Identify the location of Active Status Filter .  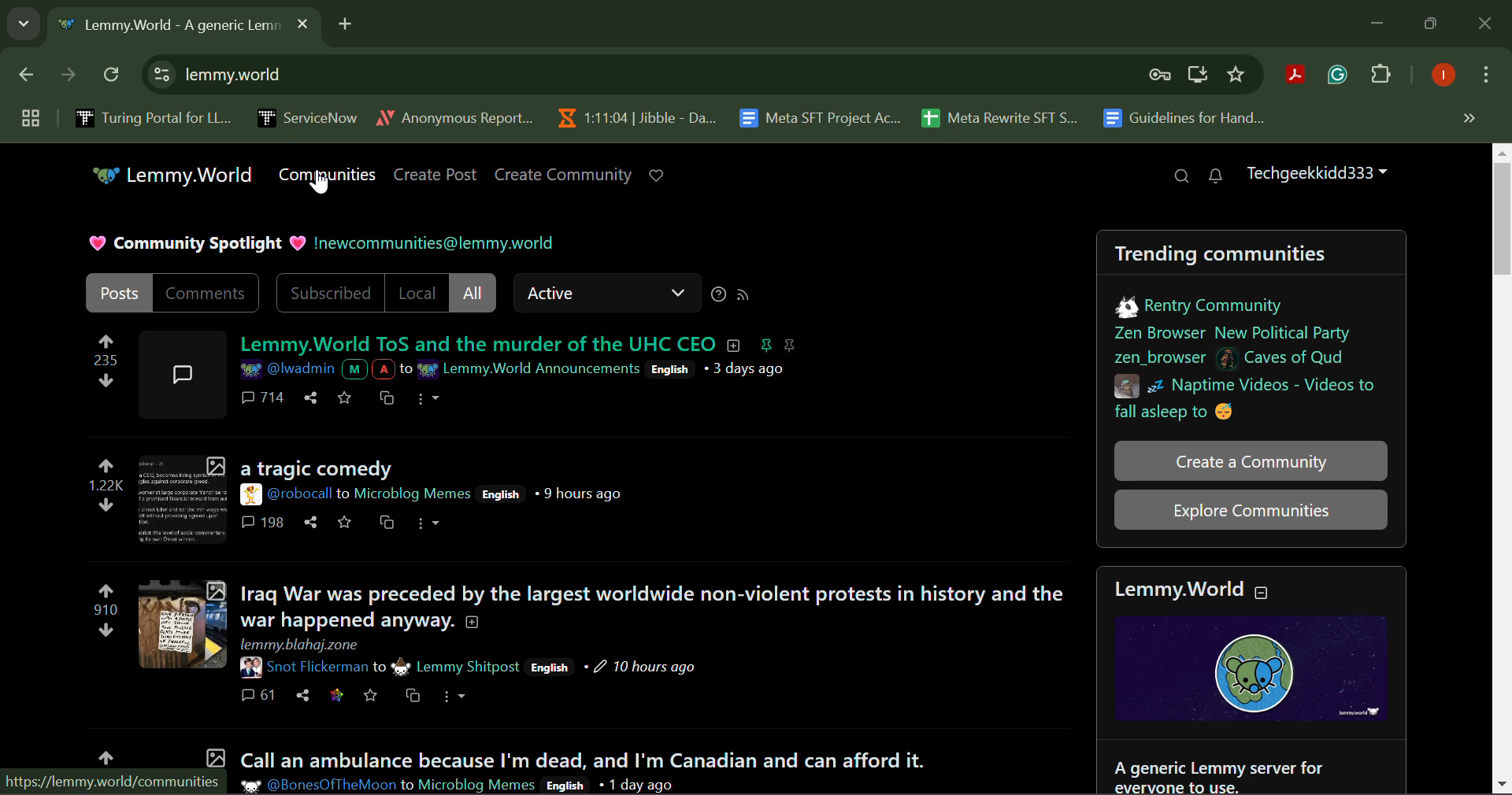
(605, 293).